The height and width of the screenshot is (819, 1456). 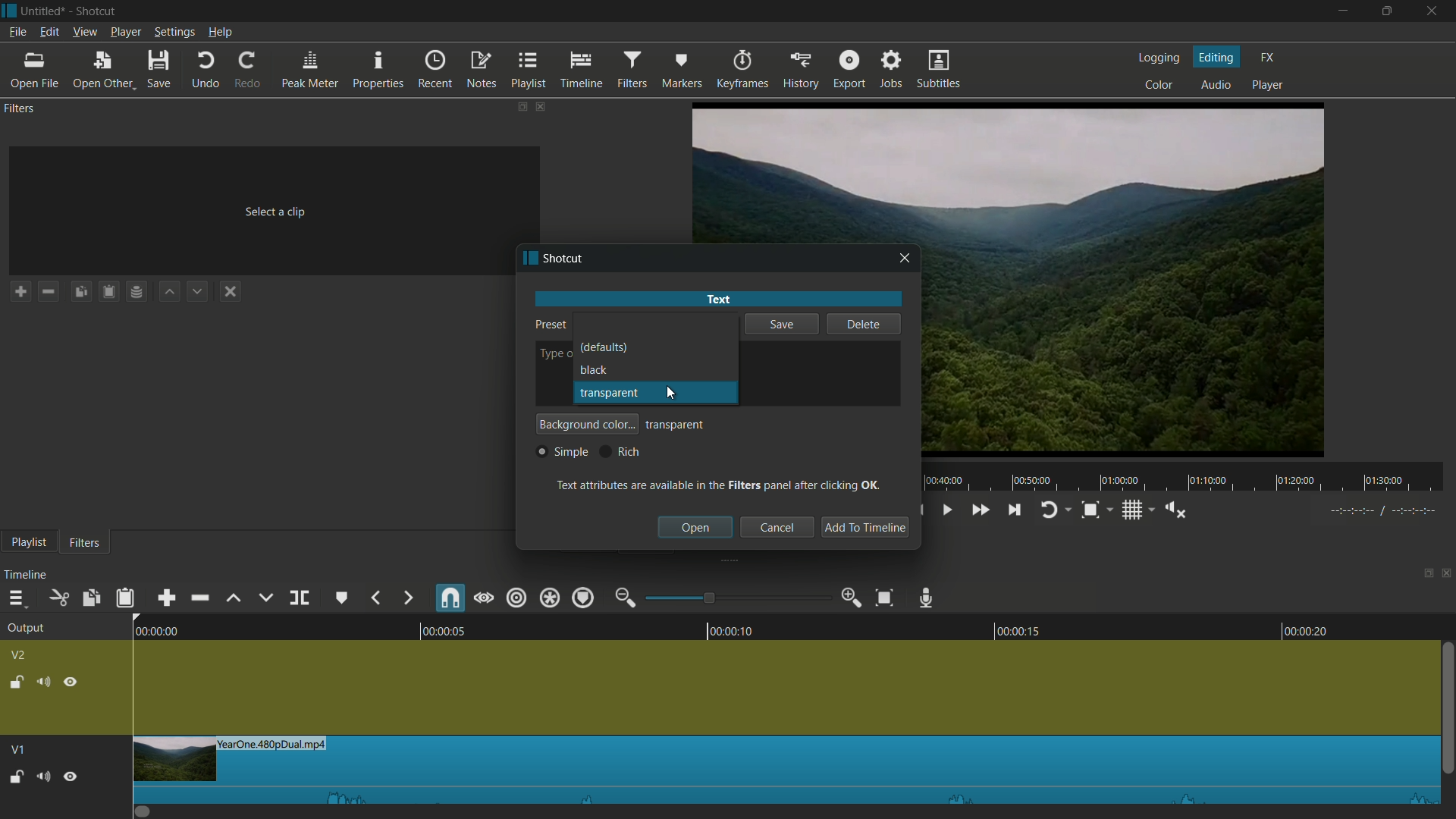 I want to click on simple, so click(x=562, y=452).